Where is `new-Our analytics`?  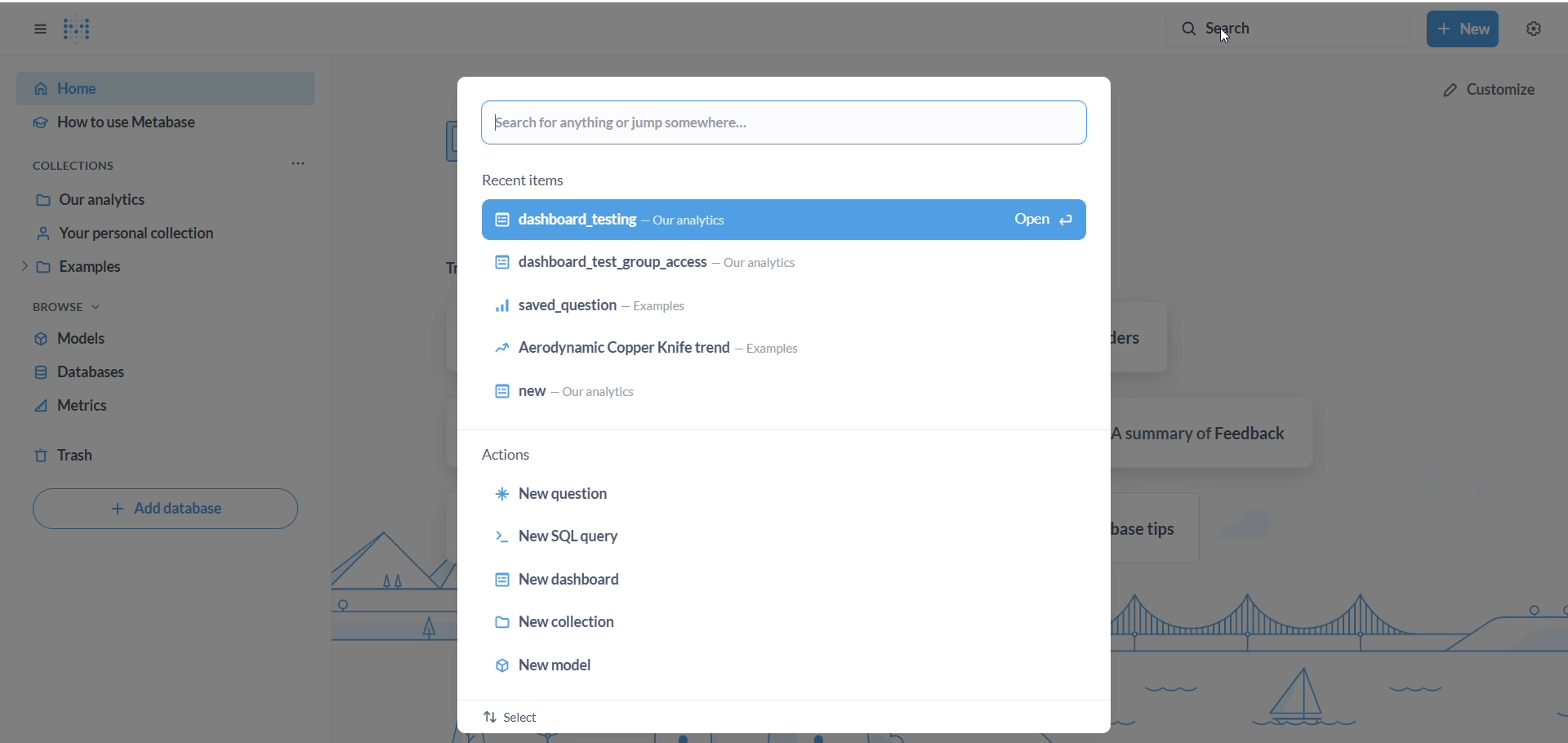 new-Our analytics is located at coordinates (773, 394).